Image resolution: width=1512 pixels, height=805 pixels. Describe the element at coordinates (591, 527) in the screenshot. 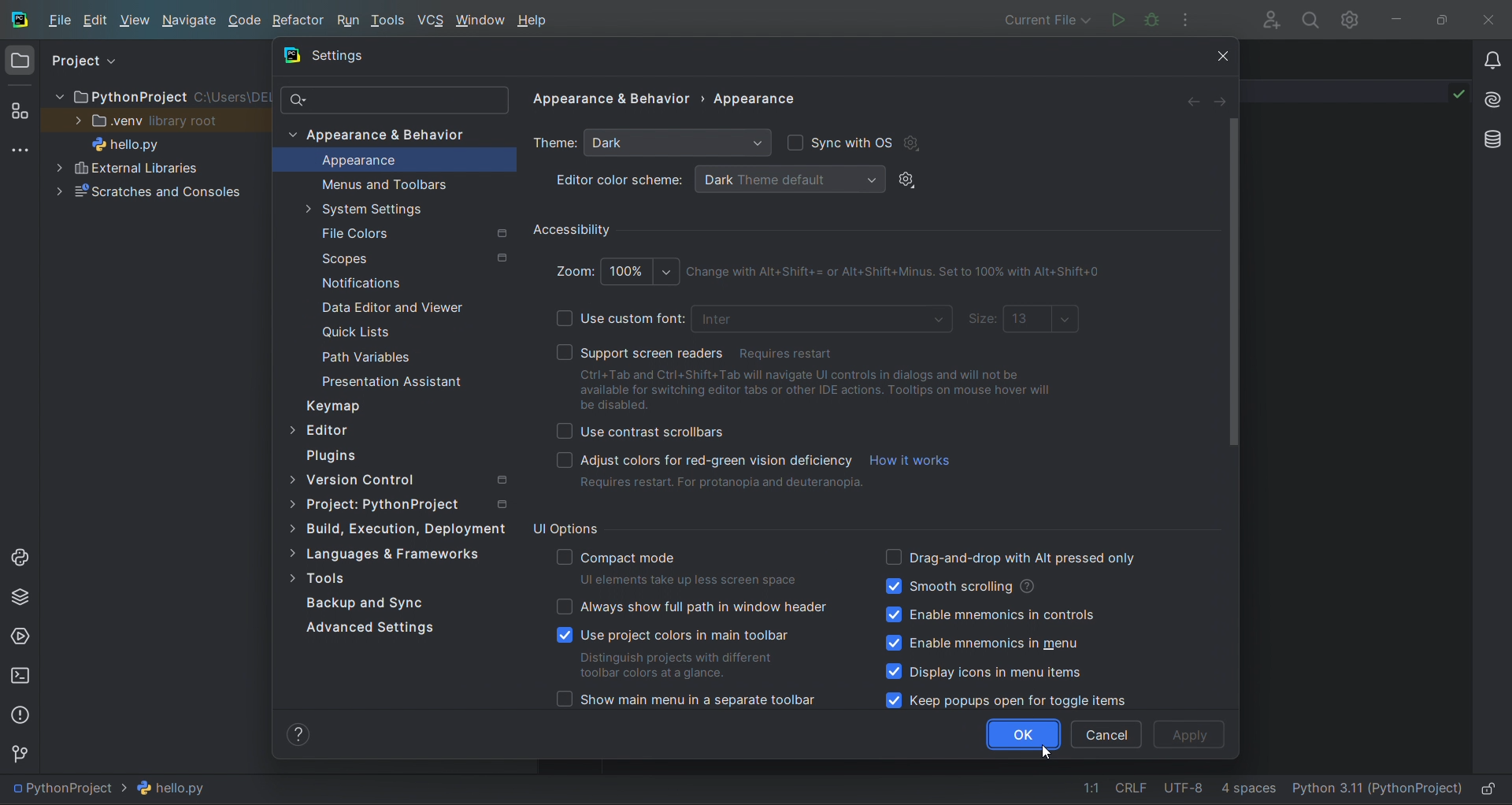

I see `UI options` at that location.